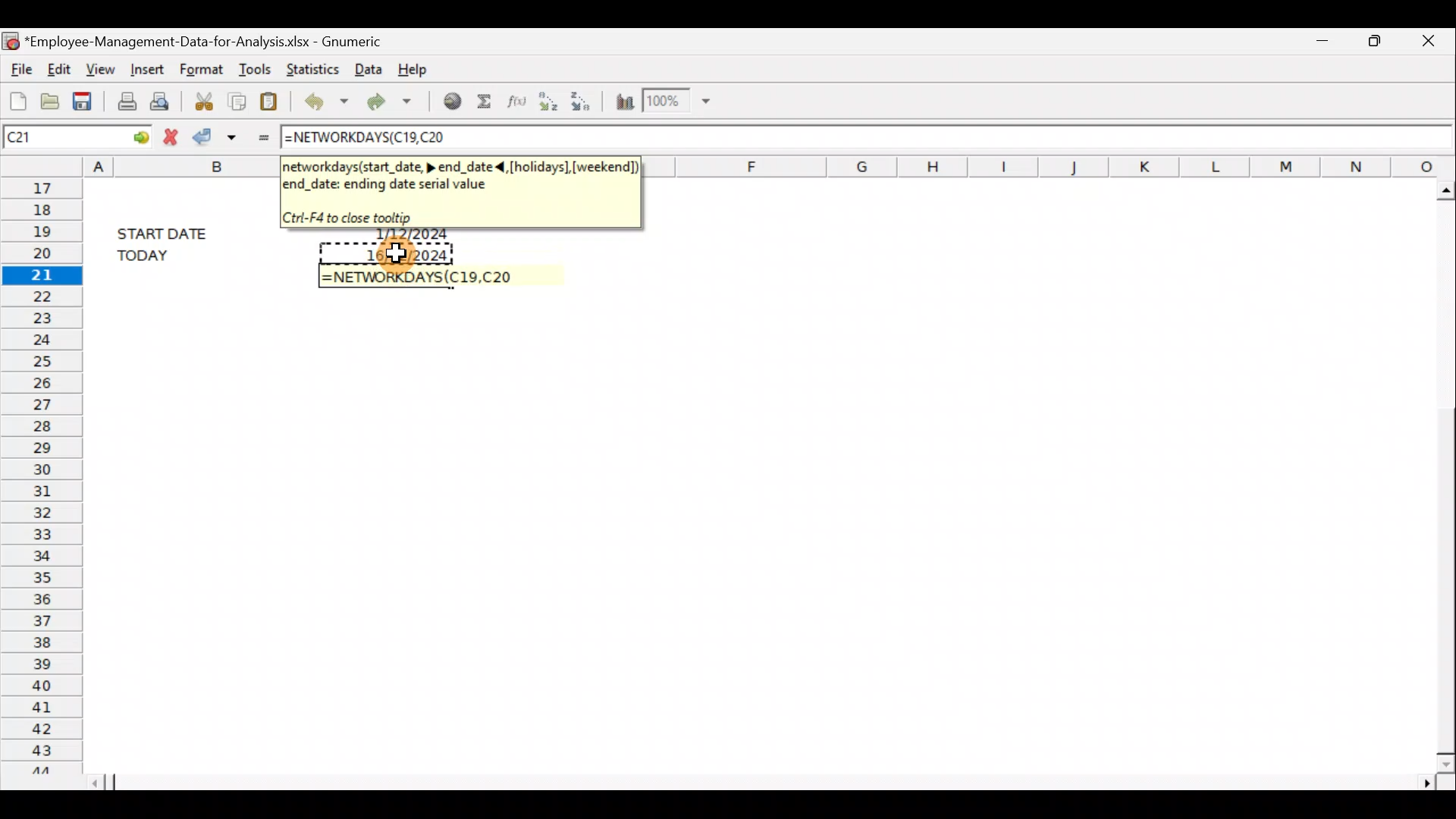 The width and height of the screenshot is (1456, 819). What do you see at coordinates (102, 68) in the screenshot?
I see `View` at bounding box center [102, 68].